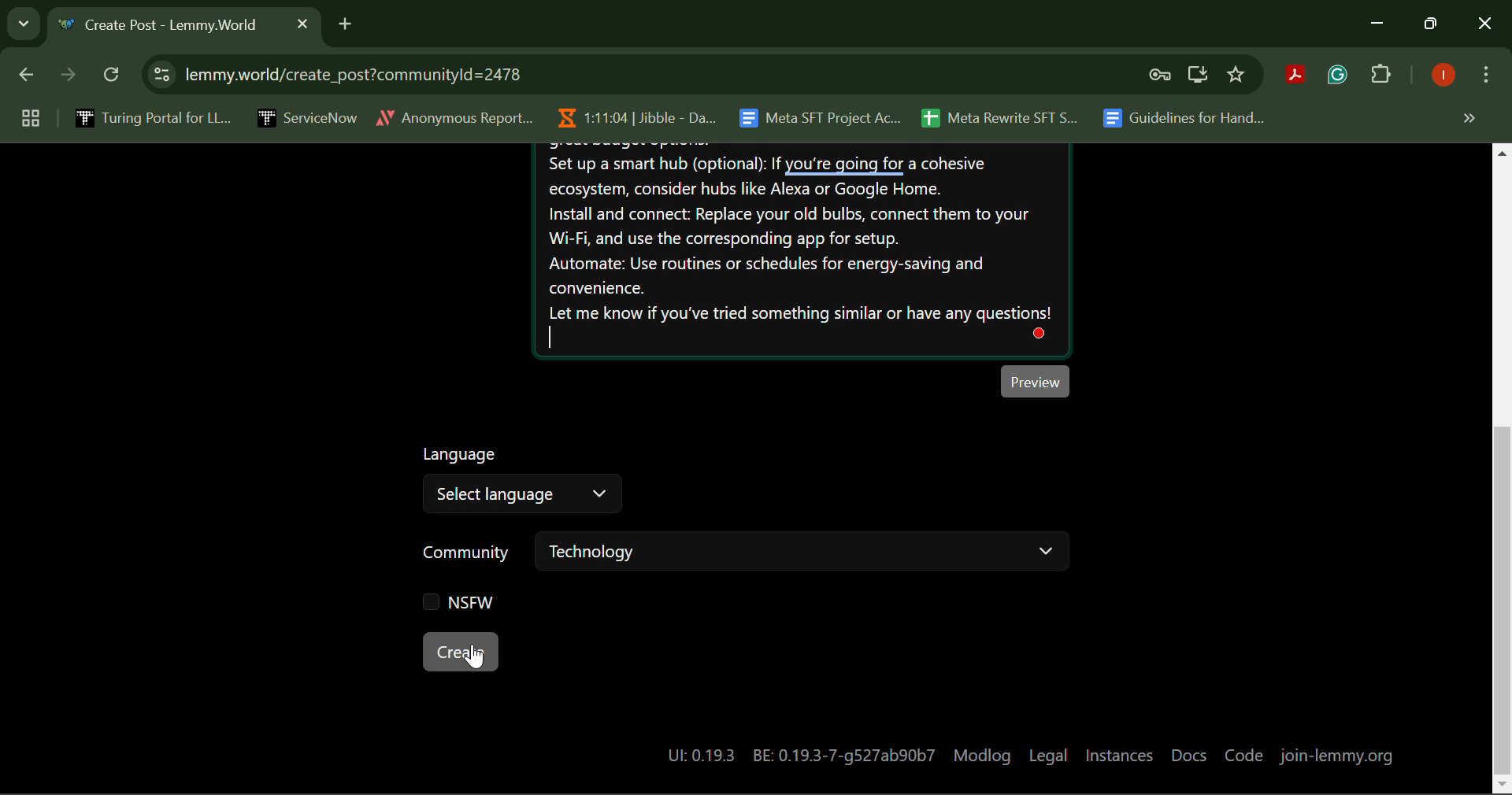 The height and width of the screenshot is (795, 1512). I want to click on Website Address, so click(554, 74).